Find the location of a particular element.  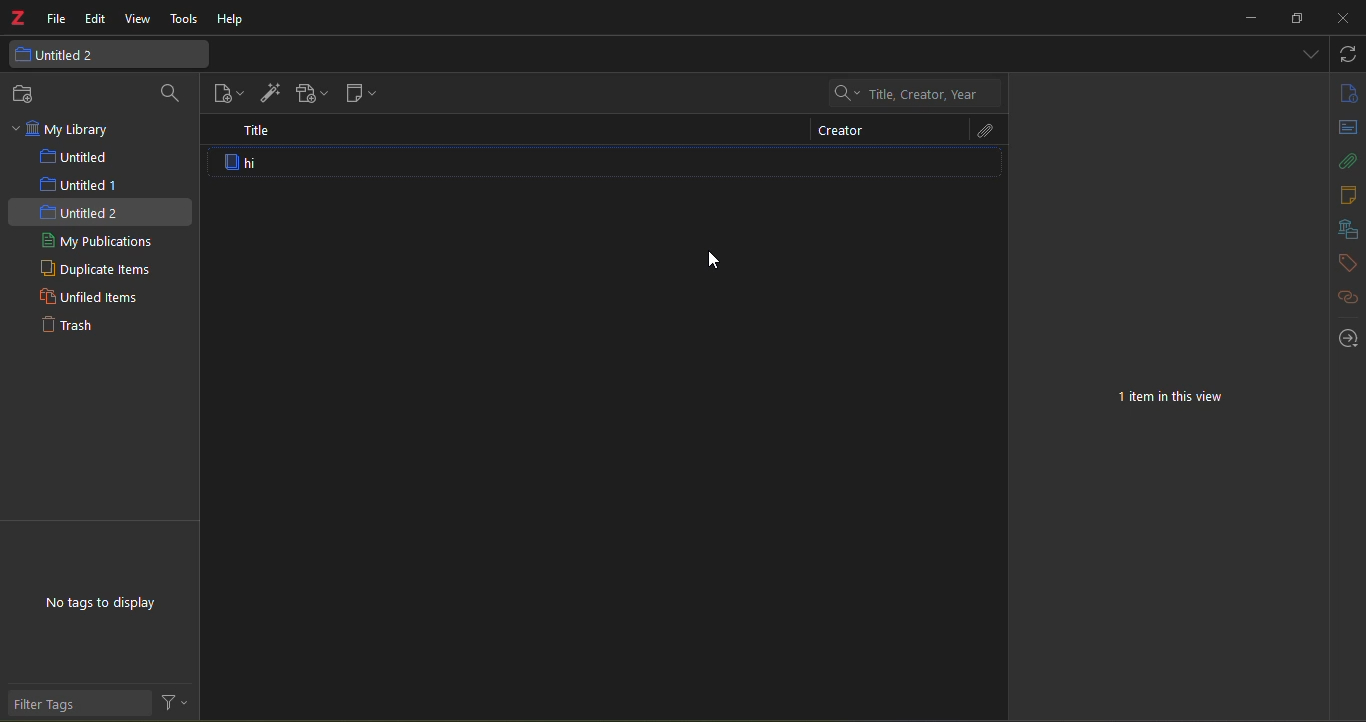

untitled 2 is located at coordinates (104, 55).